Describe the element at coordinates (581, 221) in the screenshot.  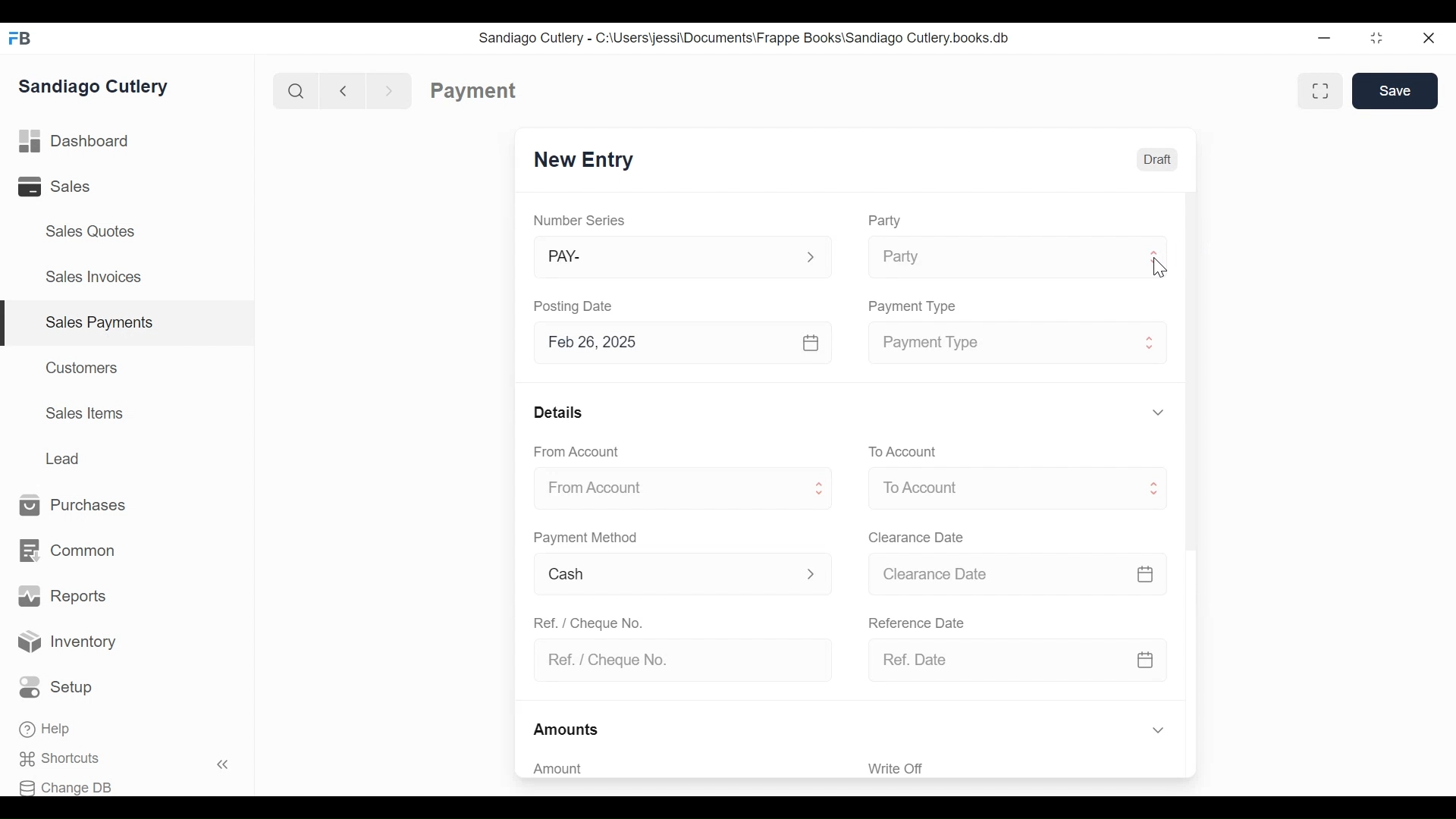
I see `Number Series` at that location.